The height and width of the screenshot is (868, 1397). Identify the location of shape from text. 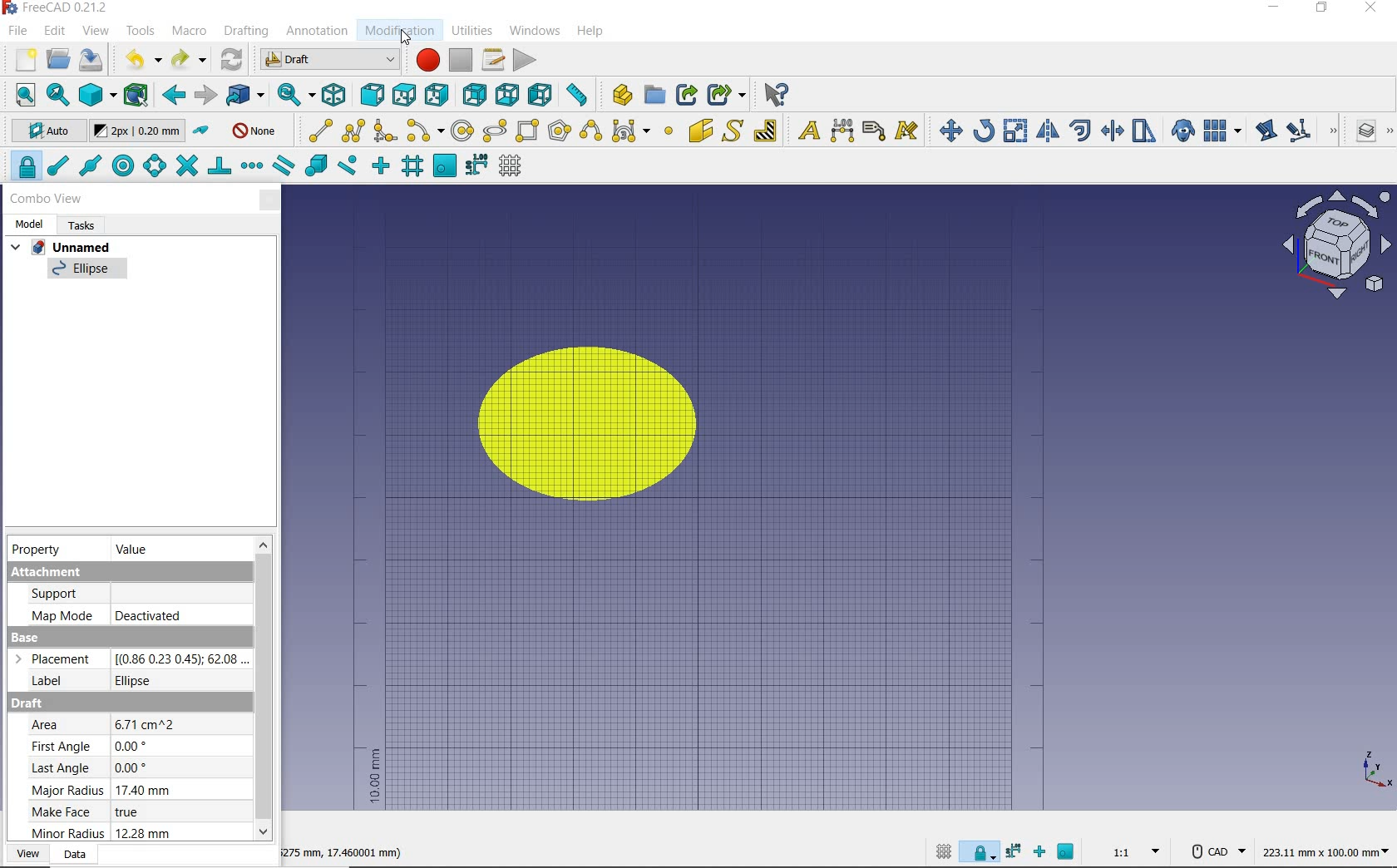
(734, 130).